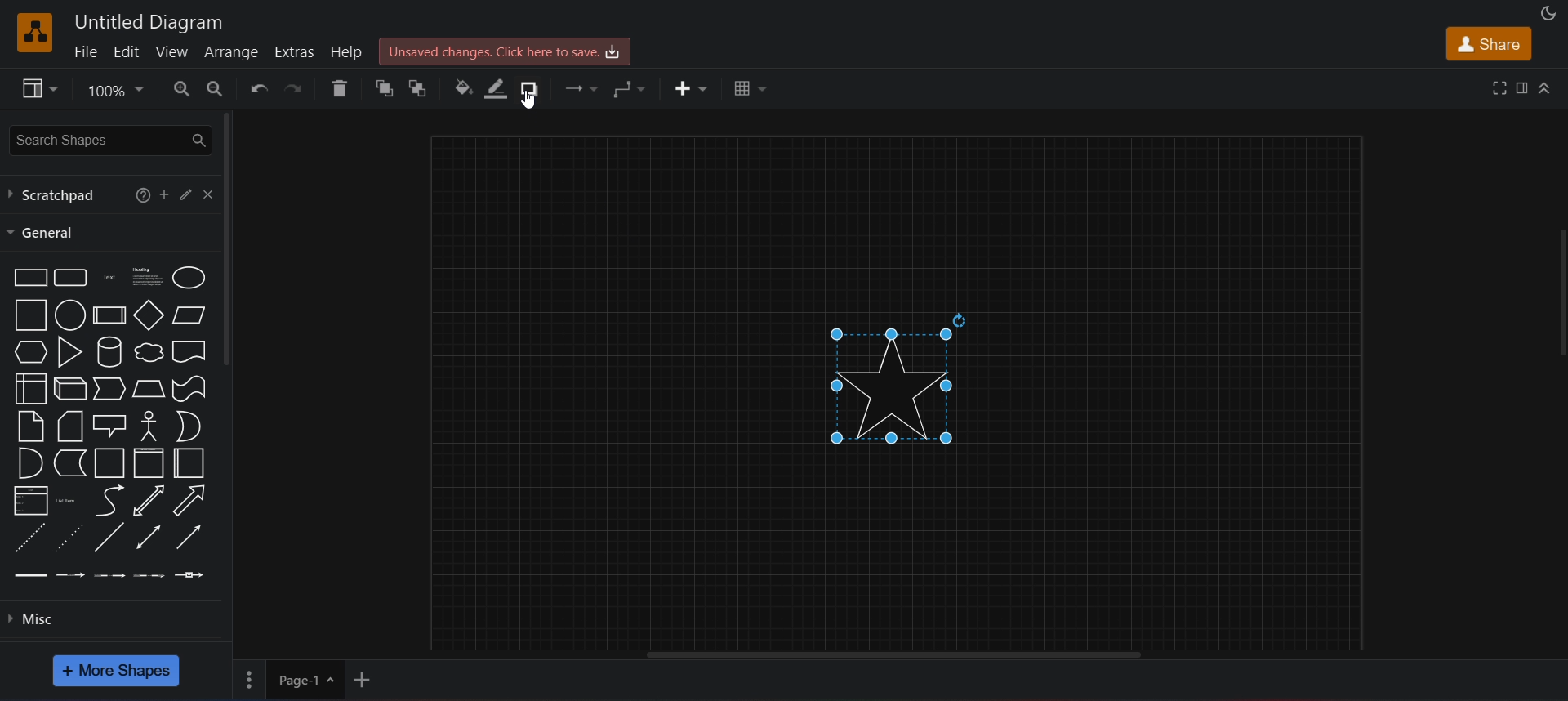 The width and height of the screenshot is (1568, 701). I want to click on zoom, so click(114, 90).